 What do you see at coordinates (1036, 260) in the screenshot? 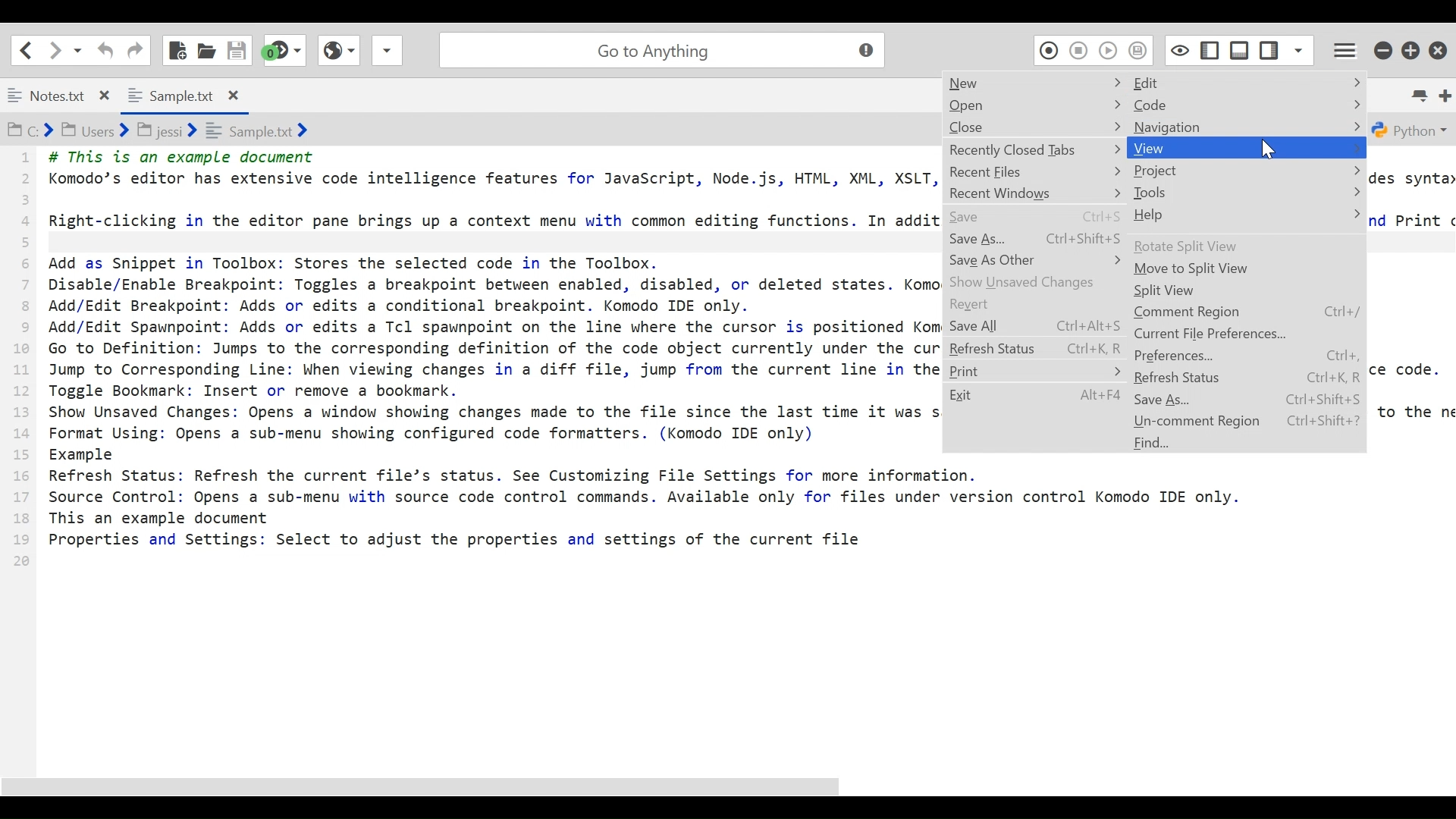
I see `Save As Other` at bounding box center [1036, 260].